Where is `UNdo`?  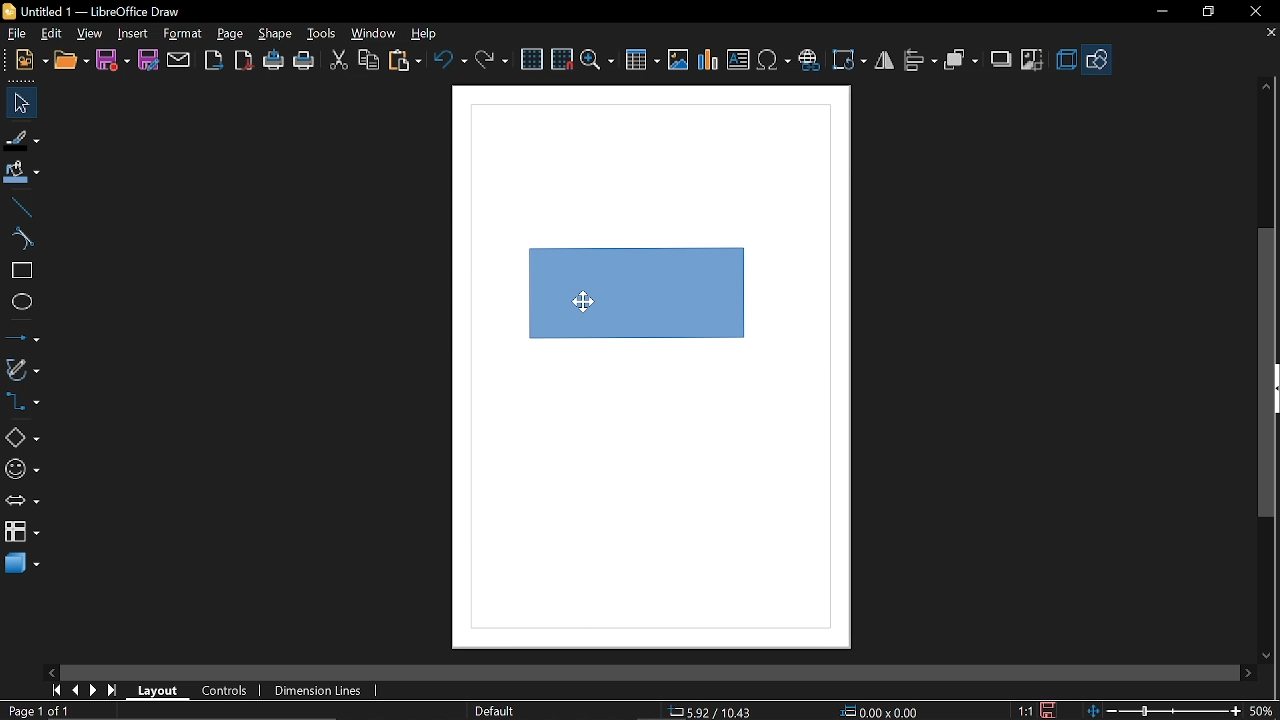
UNdo is located at coordinates (452, 59).